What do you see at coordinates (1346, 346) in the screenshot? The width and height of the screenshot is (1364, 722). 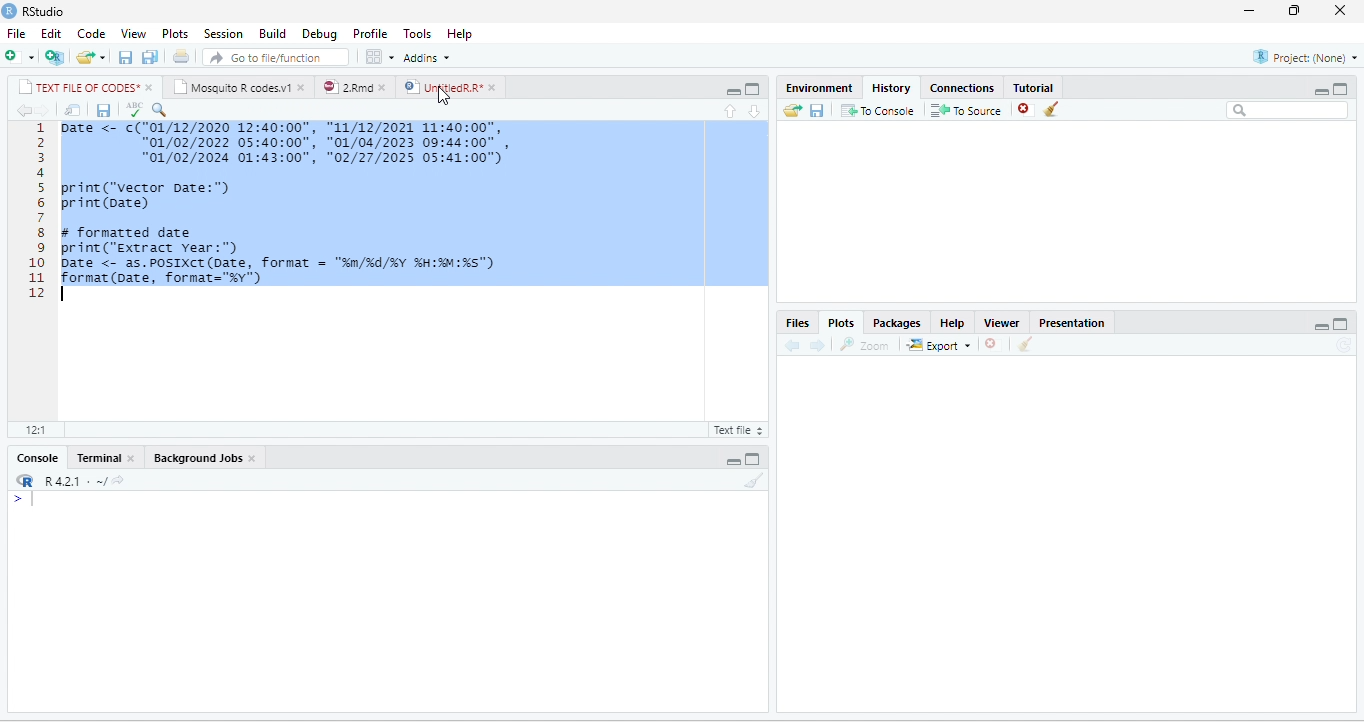 I see `refresh` at bounding box center [1346, 346].